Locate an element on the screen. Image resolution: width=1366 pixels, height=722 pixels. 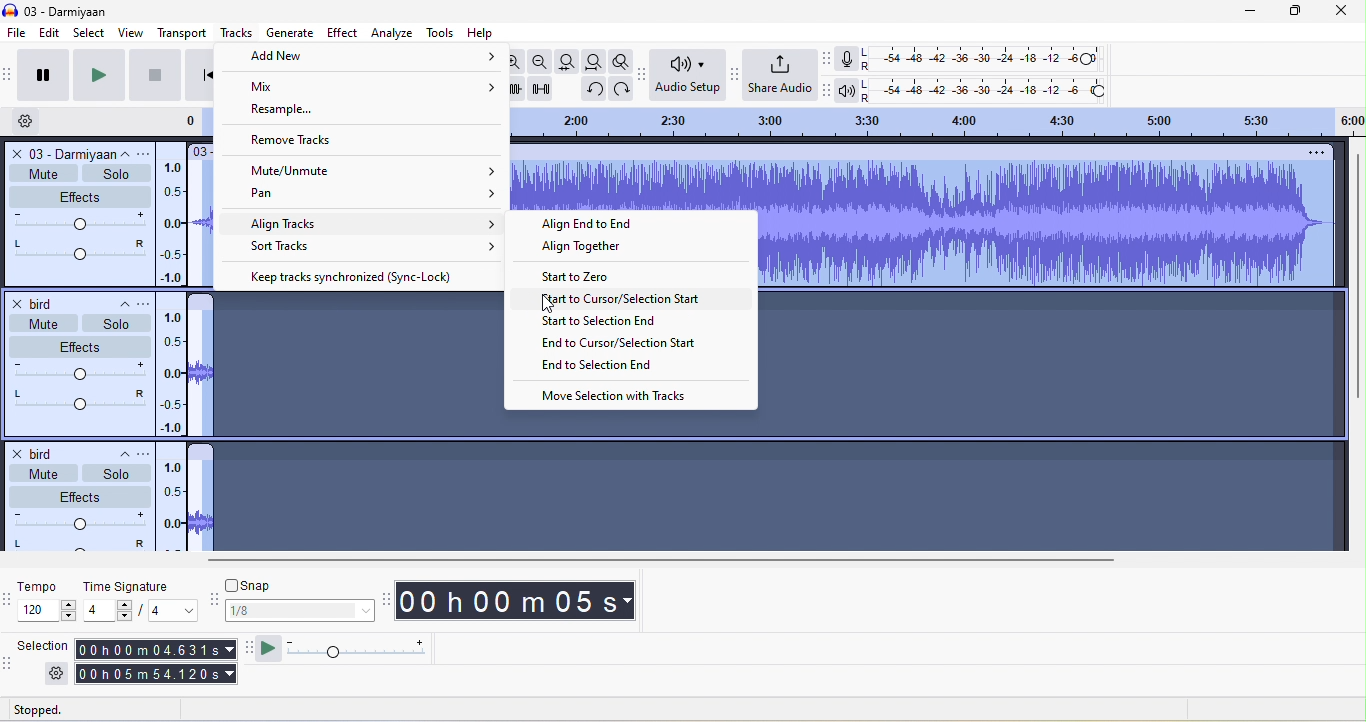
audacity time toolbar is located at coordinates (383, 599).